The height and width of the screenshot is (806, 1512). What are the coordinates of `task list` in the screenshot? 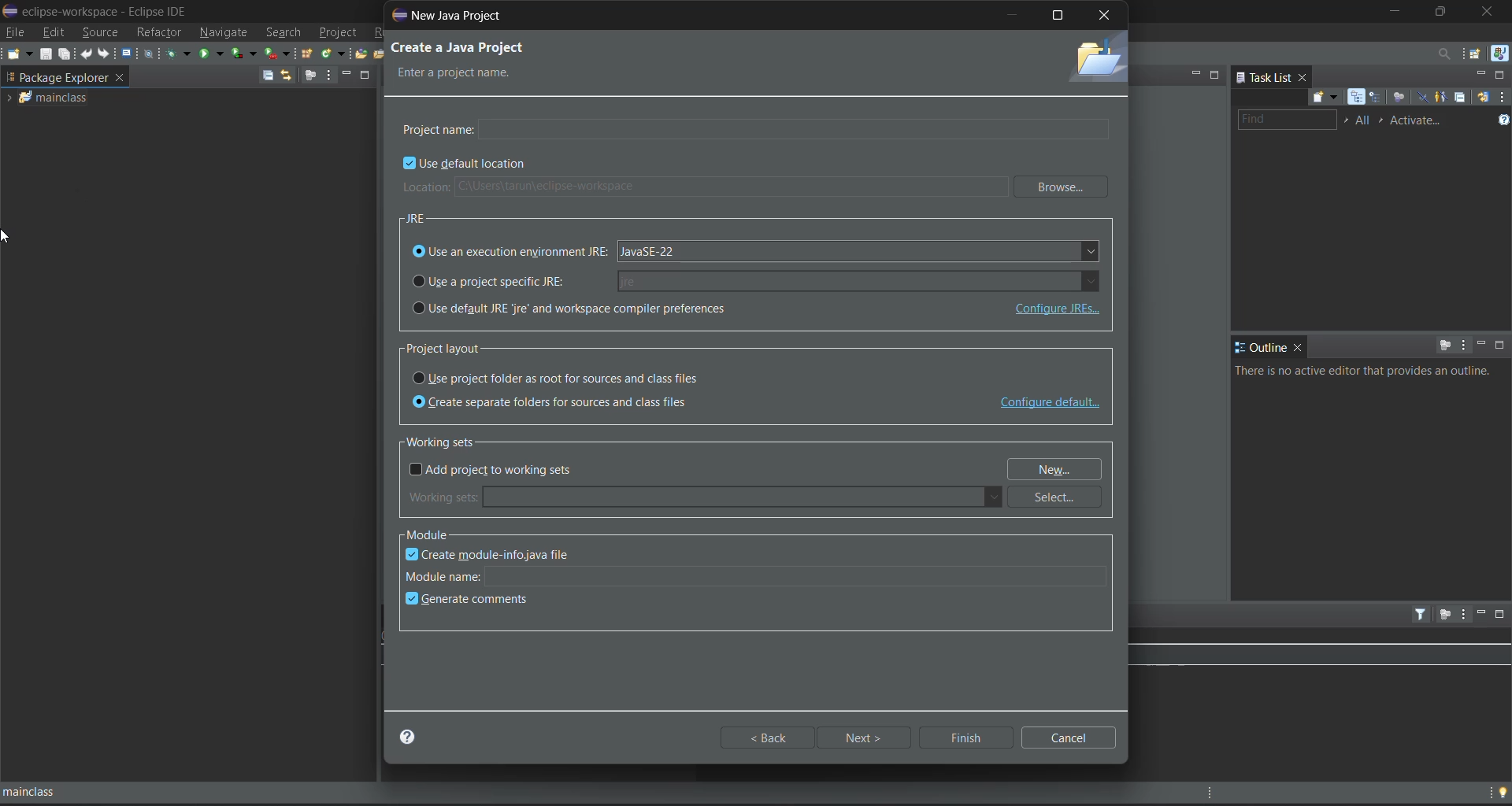 It's located at (1263, 76).